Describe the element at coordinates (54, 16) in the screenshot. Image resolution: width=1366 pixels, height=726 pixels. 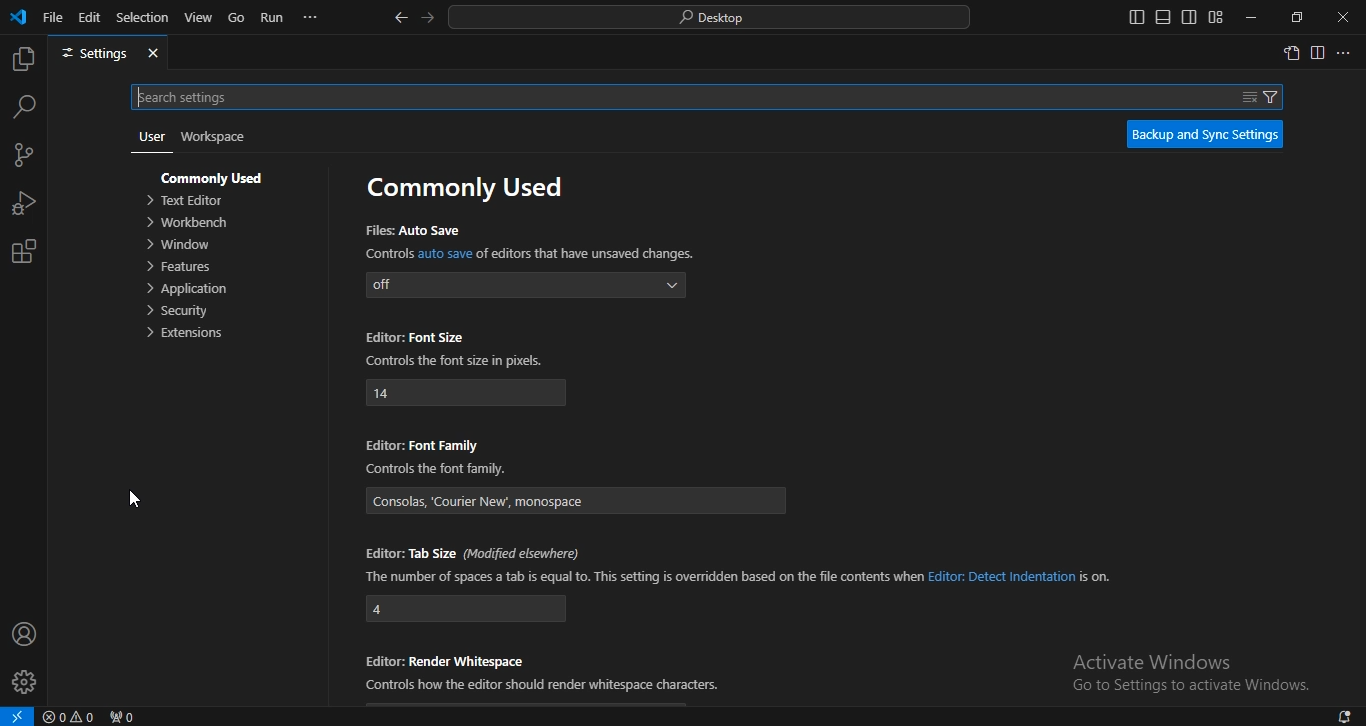
I see `file` at that location.